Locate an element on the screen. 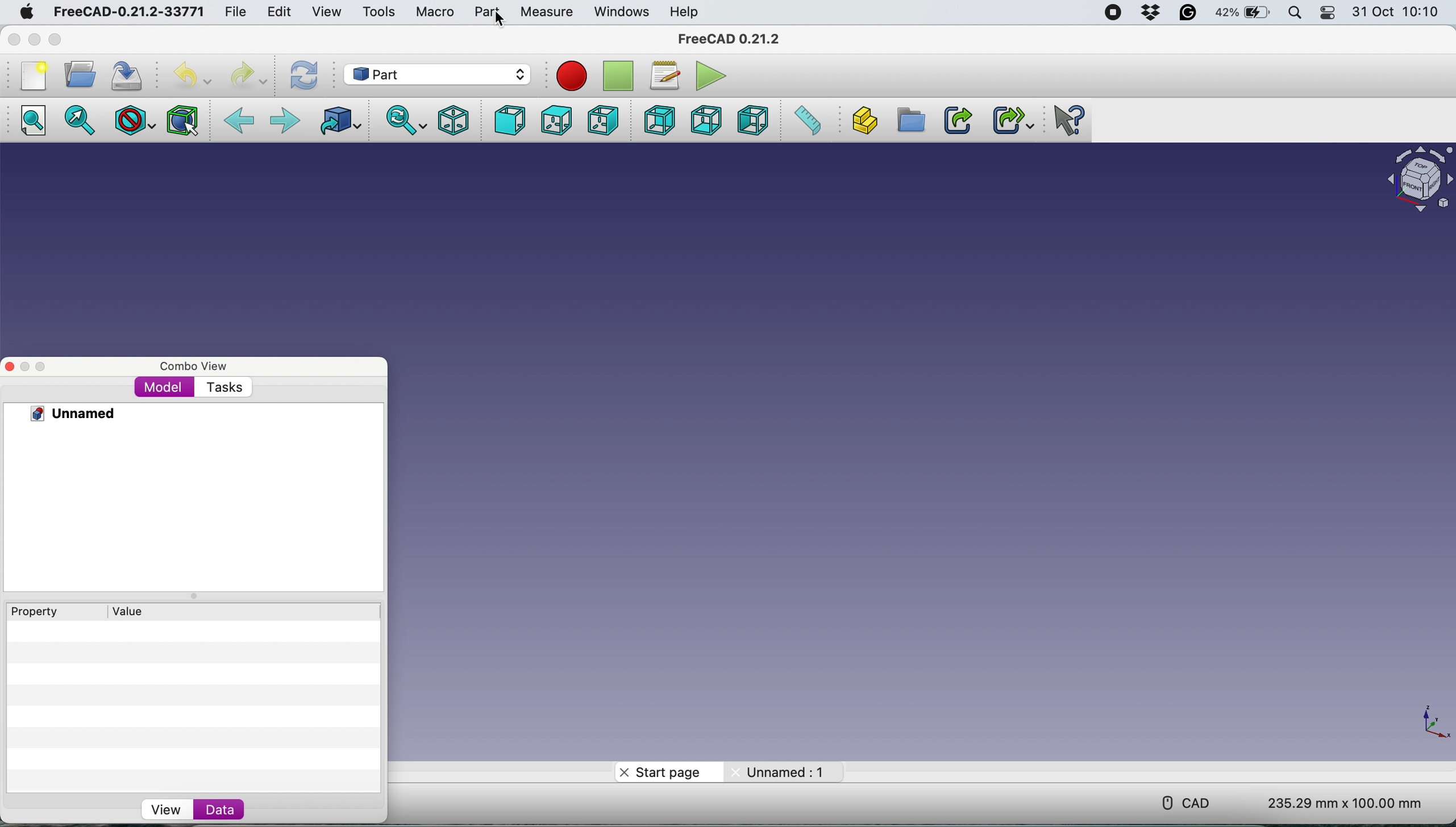  Unnamed is located at coordinates (63, 413).